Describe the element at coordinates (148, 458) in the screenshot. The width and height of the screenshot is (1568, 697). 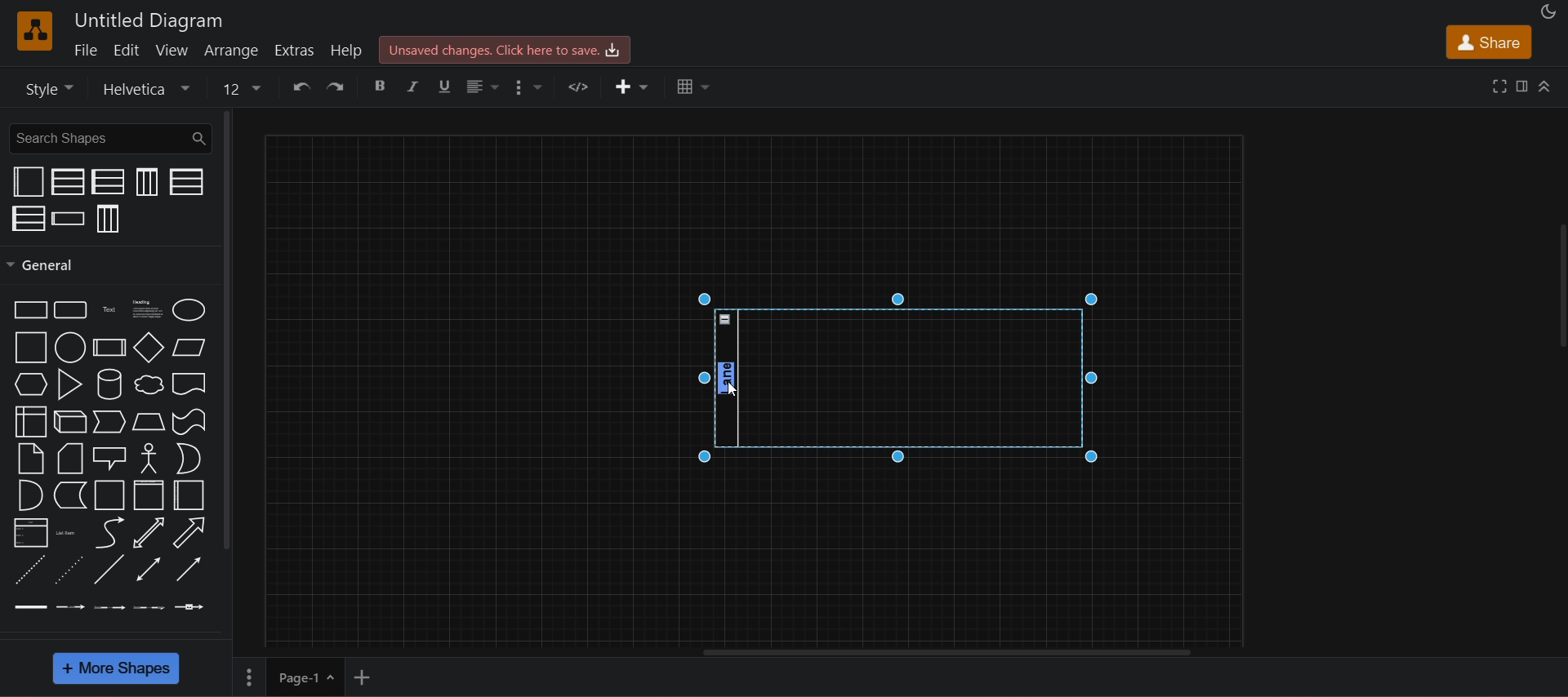
I see `actor` at that location.